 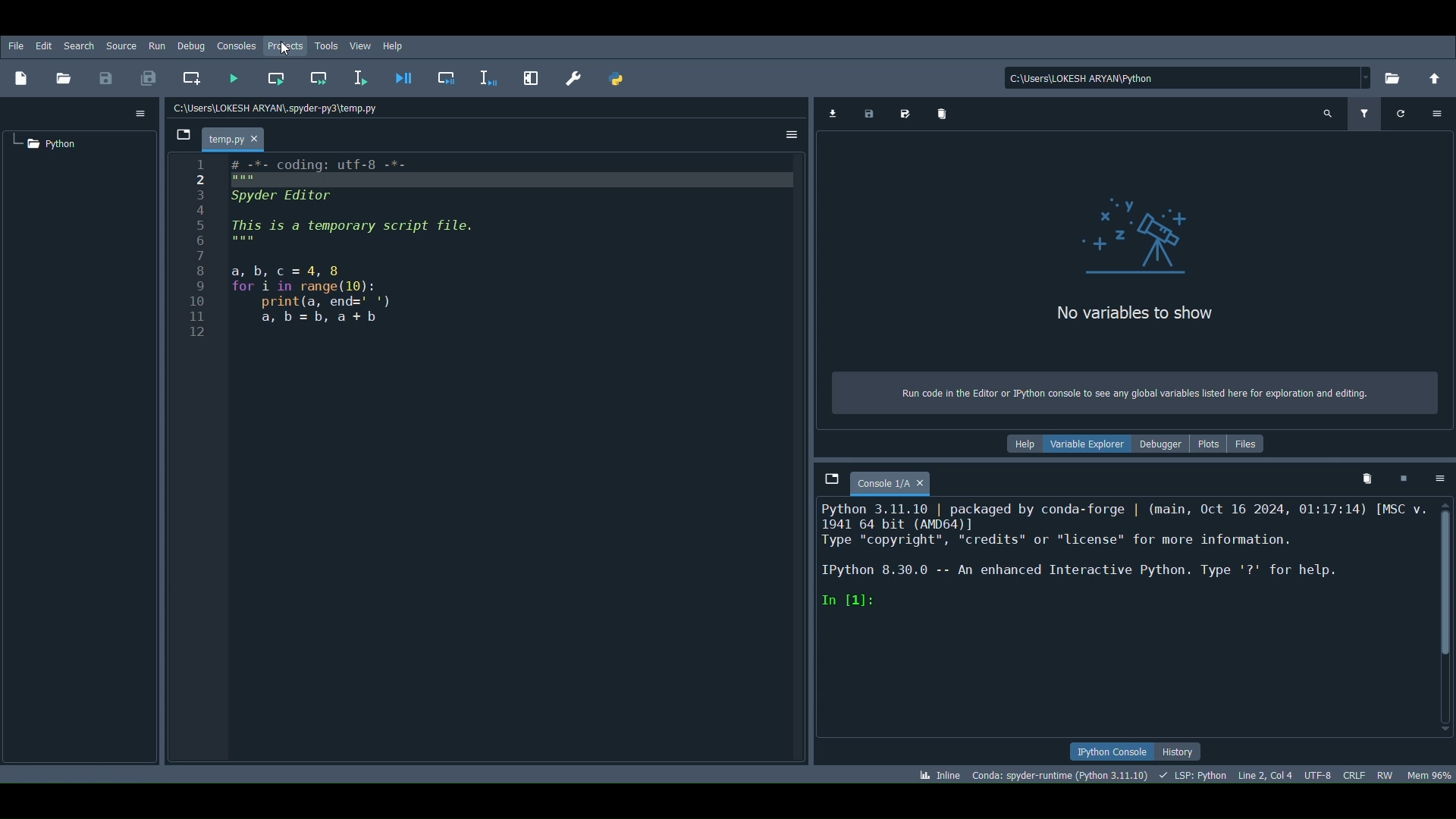 I want to click on Debugger, so click(x=1164, y=444).